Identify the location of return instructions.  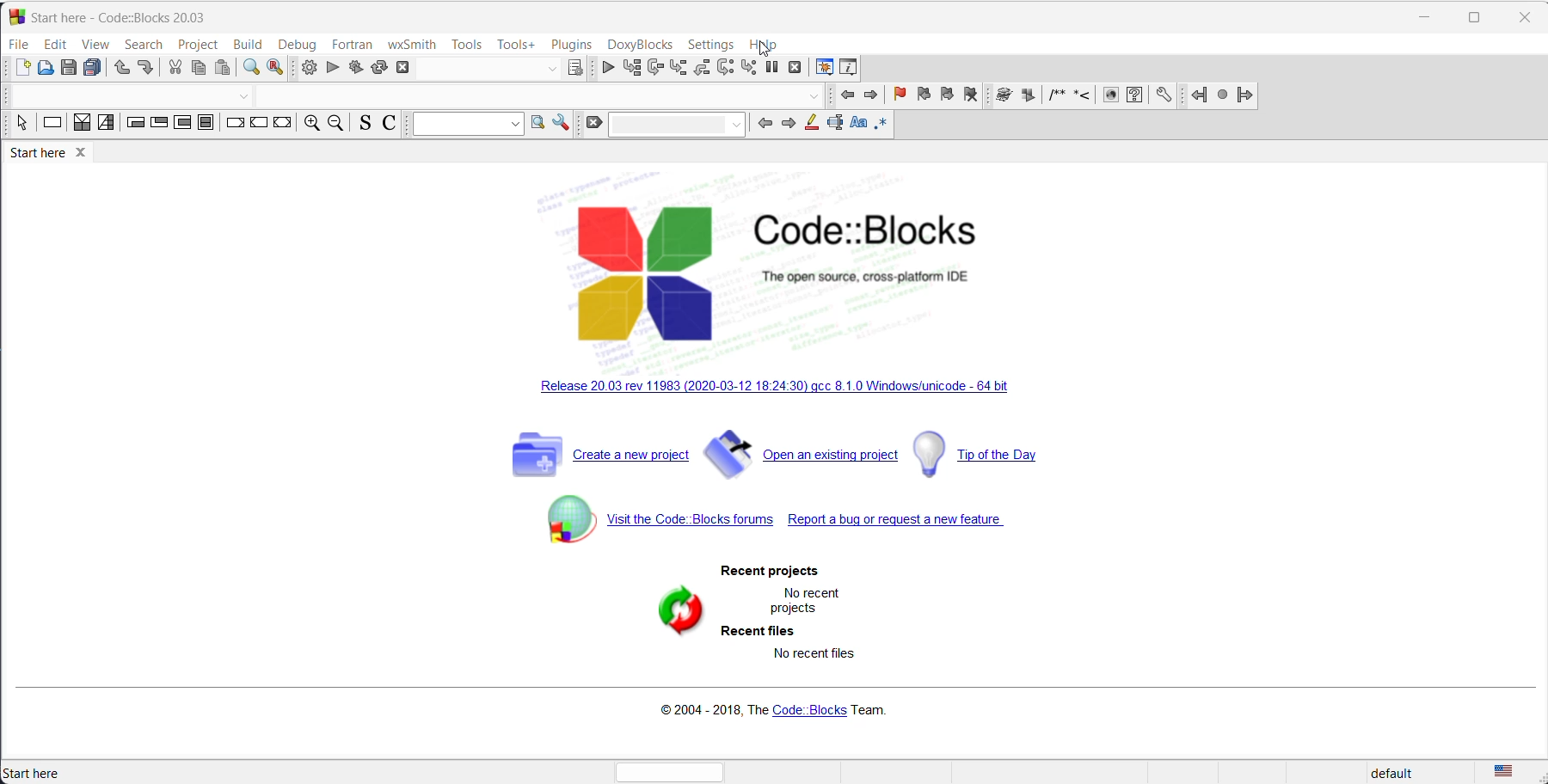
(285, 125).